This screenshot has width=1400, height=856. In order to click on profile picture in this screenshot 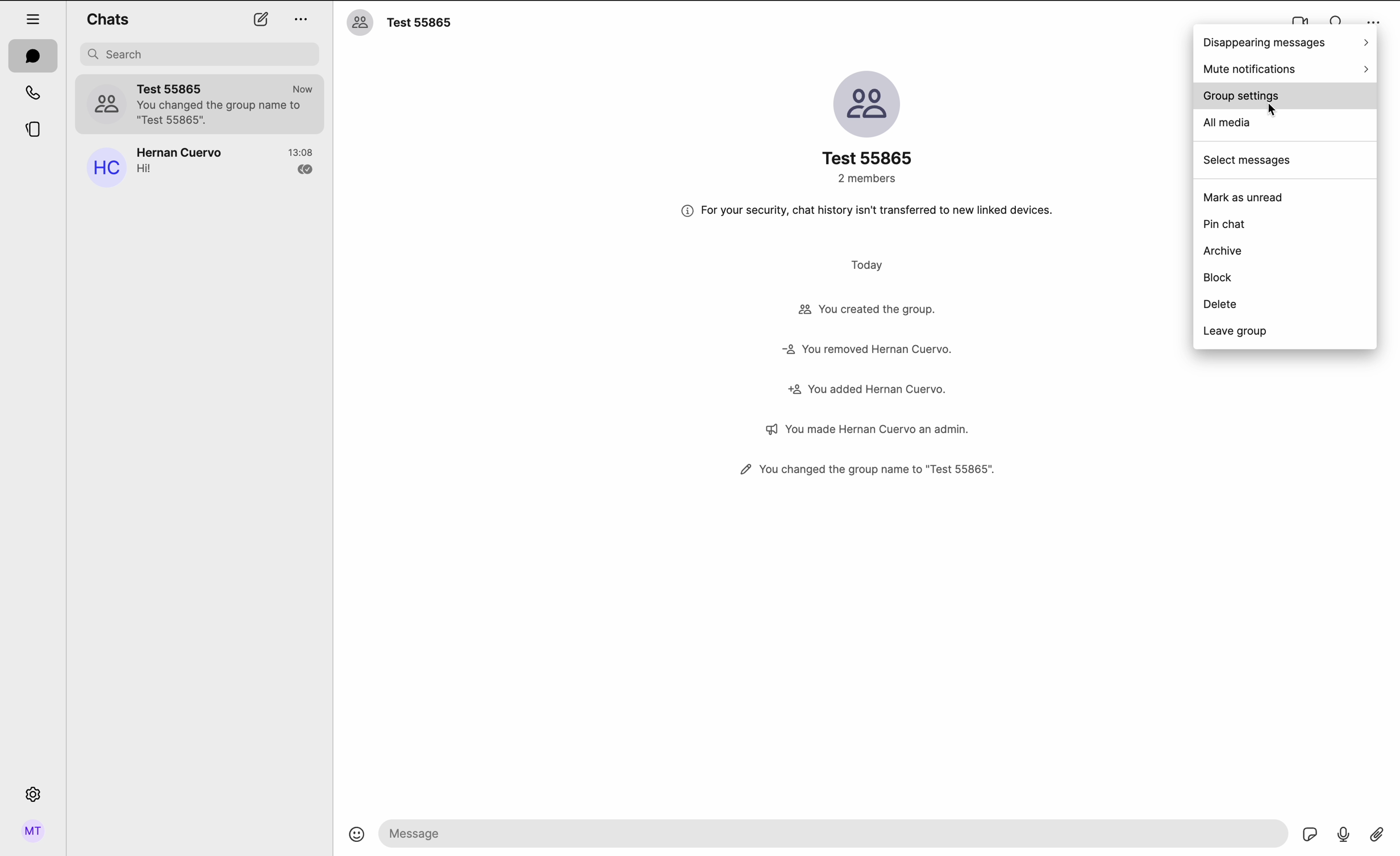, I will do `click(104, 169)`.